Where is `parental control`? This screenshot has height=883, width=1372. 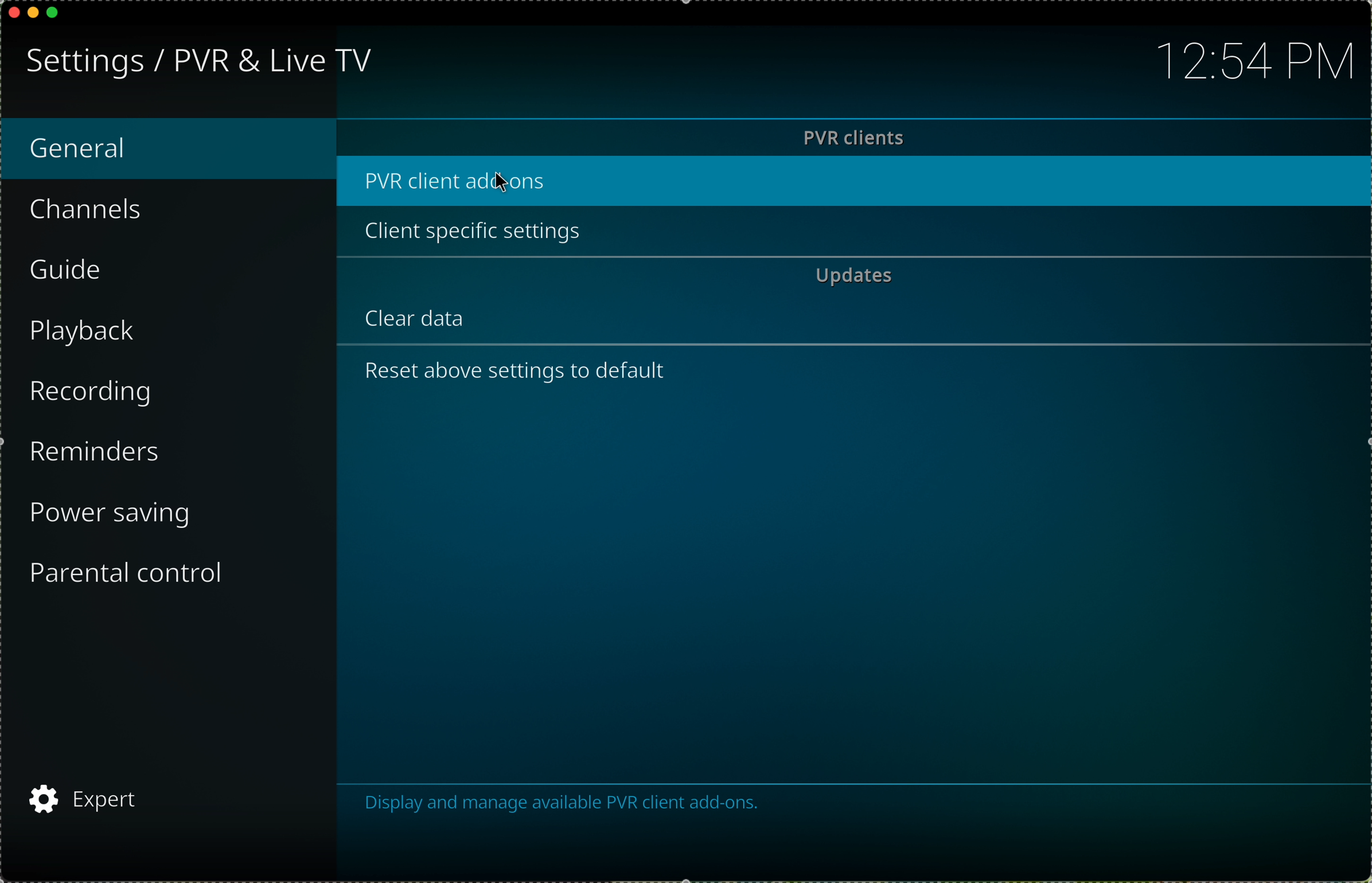 parental control is located at coordinates (131, 570).